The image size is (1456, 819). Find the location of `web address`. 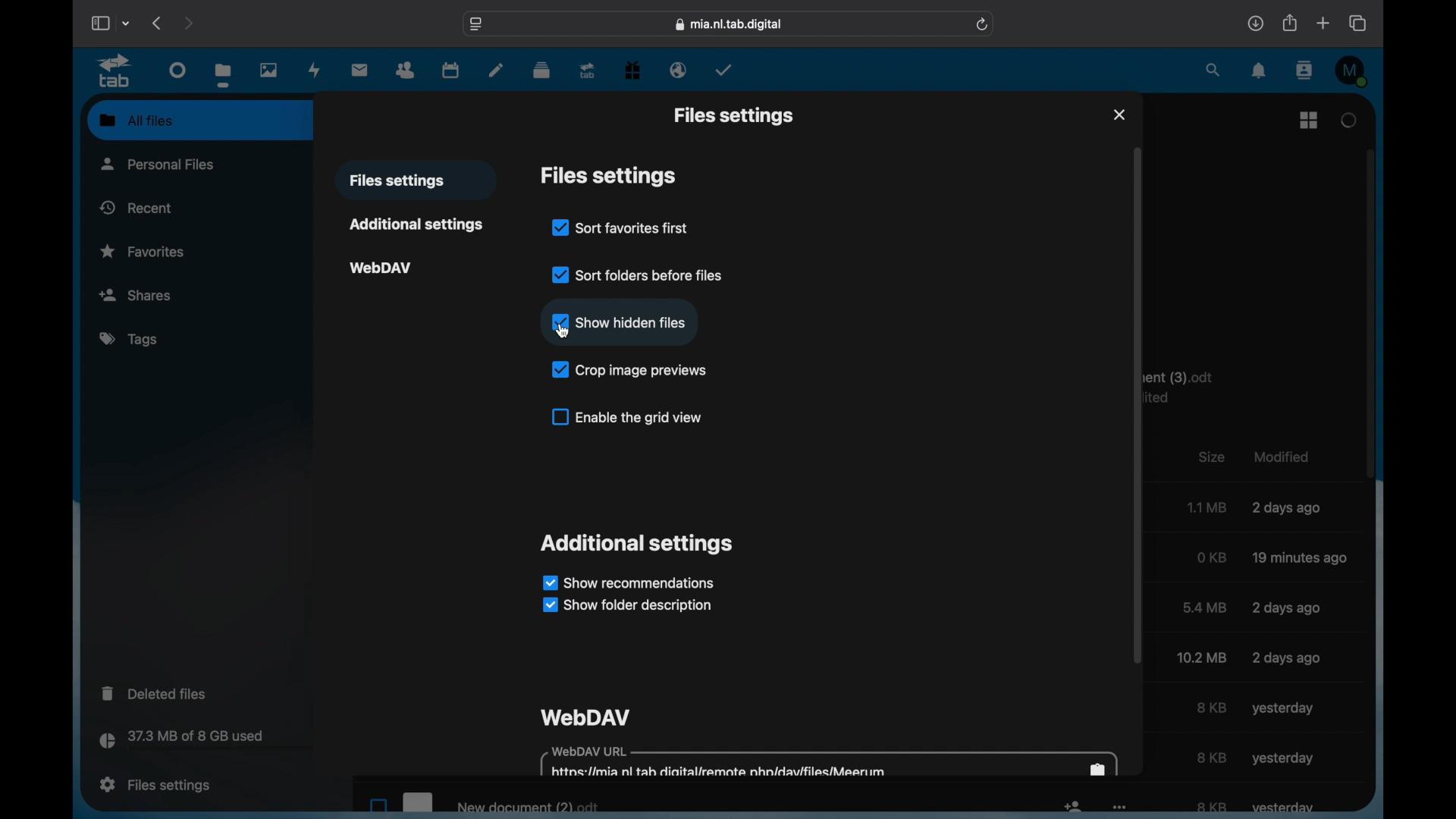

web address is located at coordinates (477, 25).